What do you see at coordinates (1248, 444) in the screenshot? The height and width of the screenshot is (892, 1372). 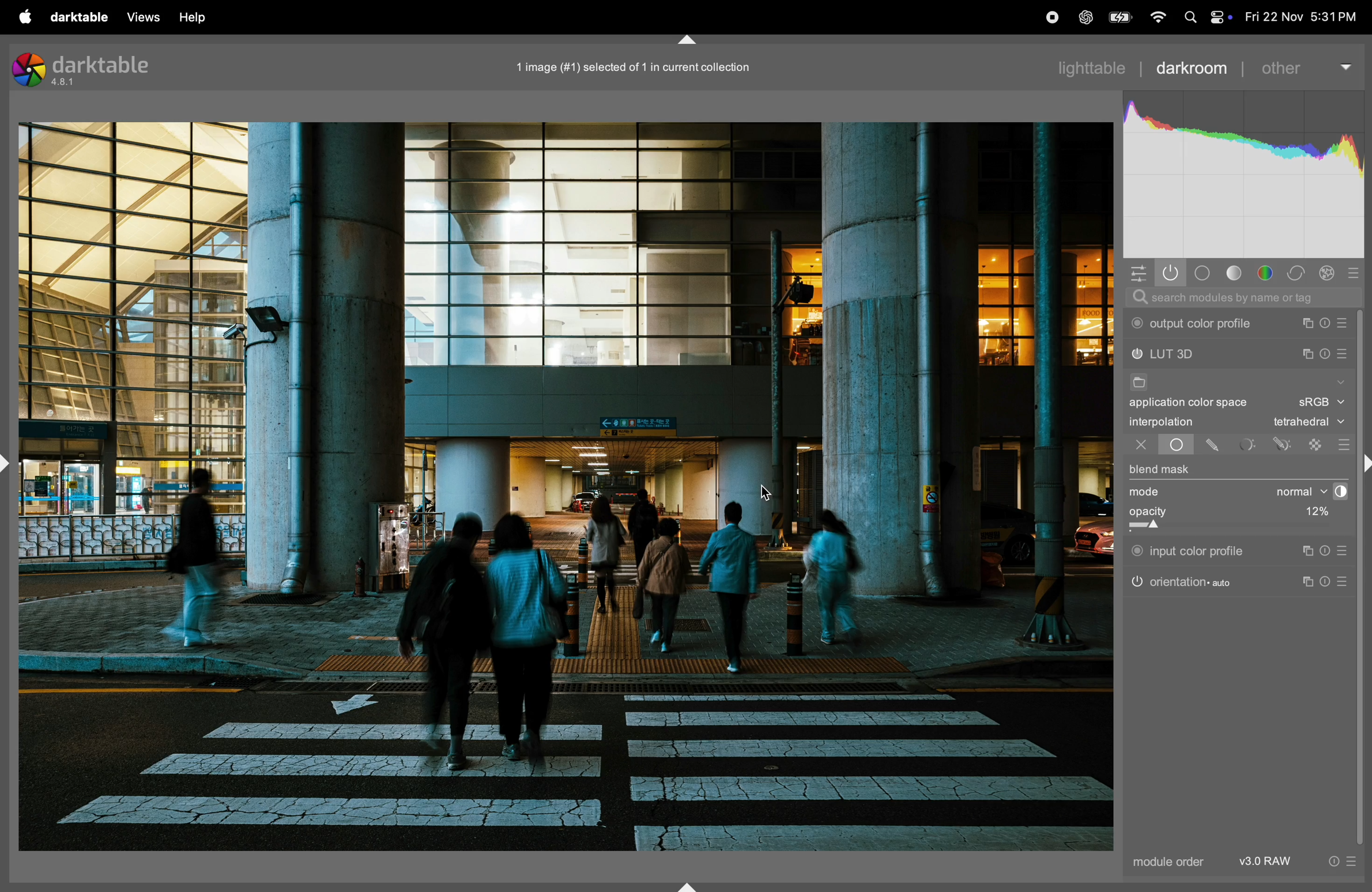 I see `parametric mask` at bounding box center [1248, 444].